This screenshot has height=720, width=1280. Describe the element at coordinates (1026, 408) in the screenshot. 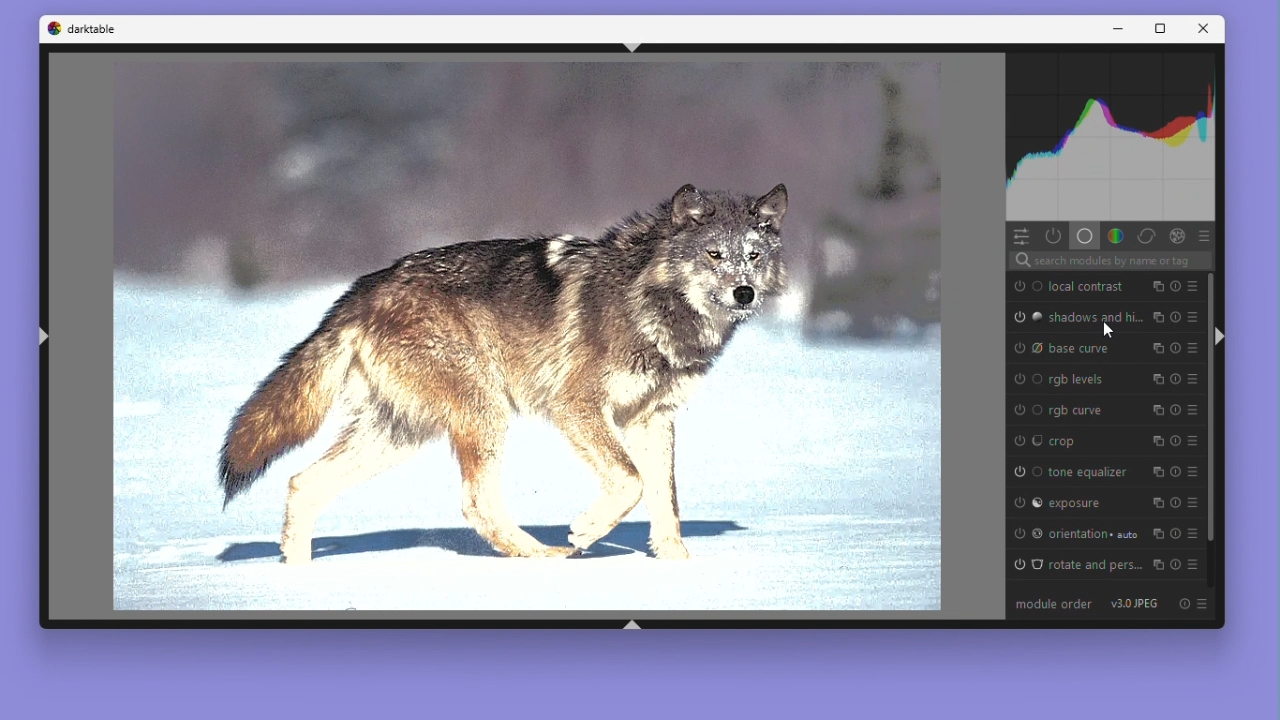

I see `'RGB curve' is switched off` at that location.